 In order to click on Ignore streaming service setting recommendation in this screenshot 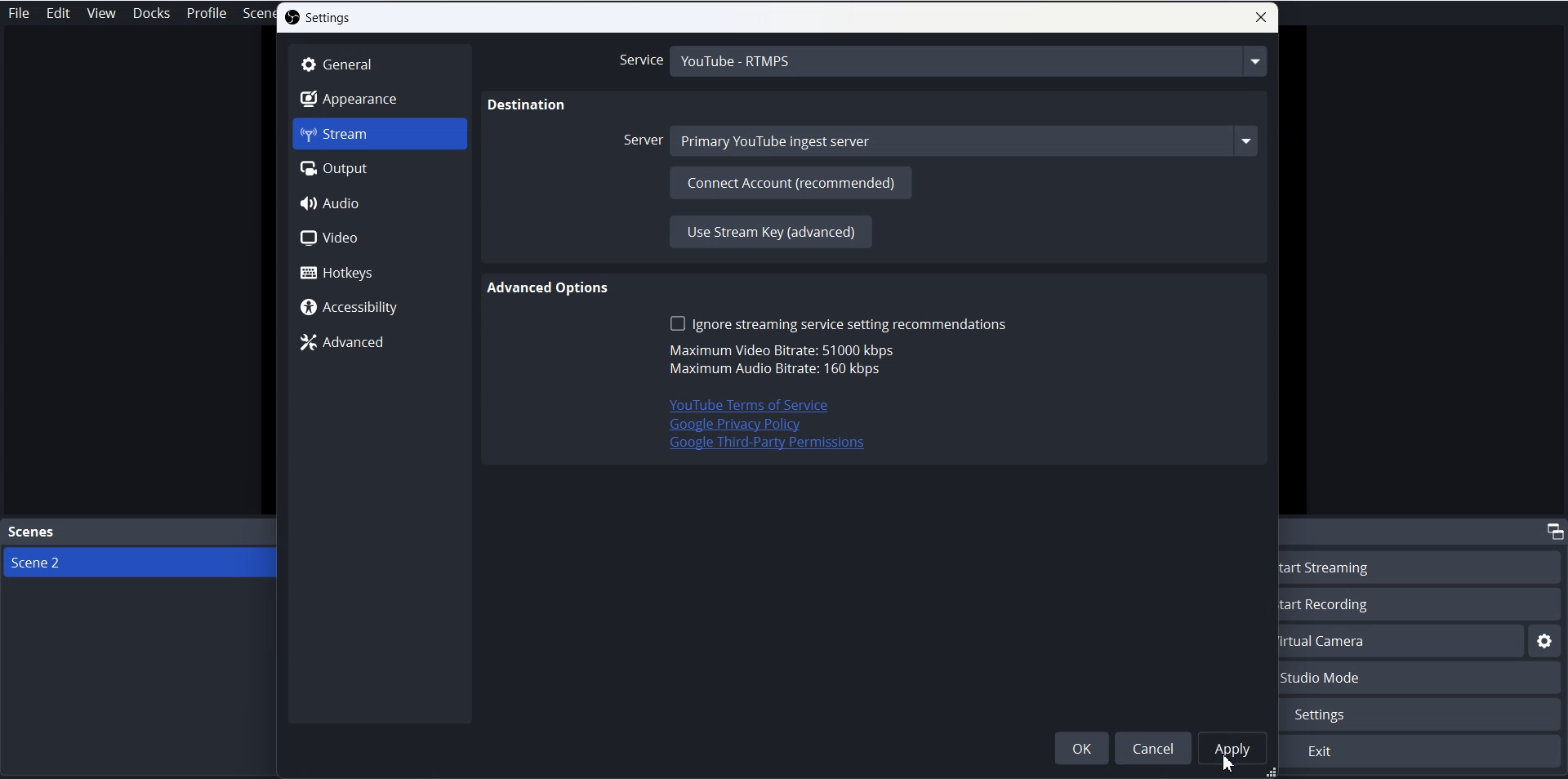, I will do `click(838, 323)`.